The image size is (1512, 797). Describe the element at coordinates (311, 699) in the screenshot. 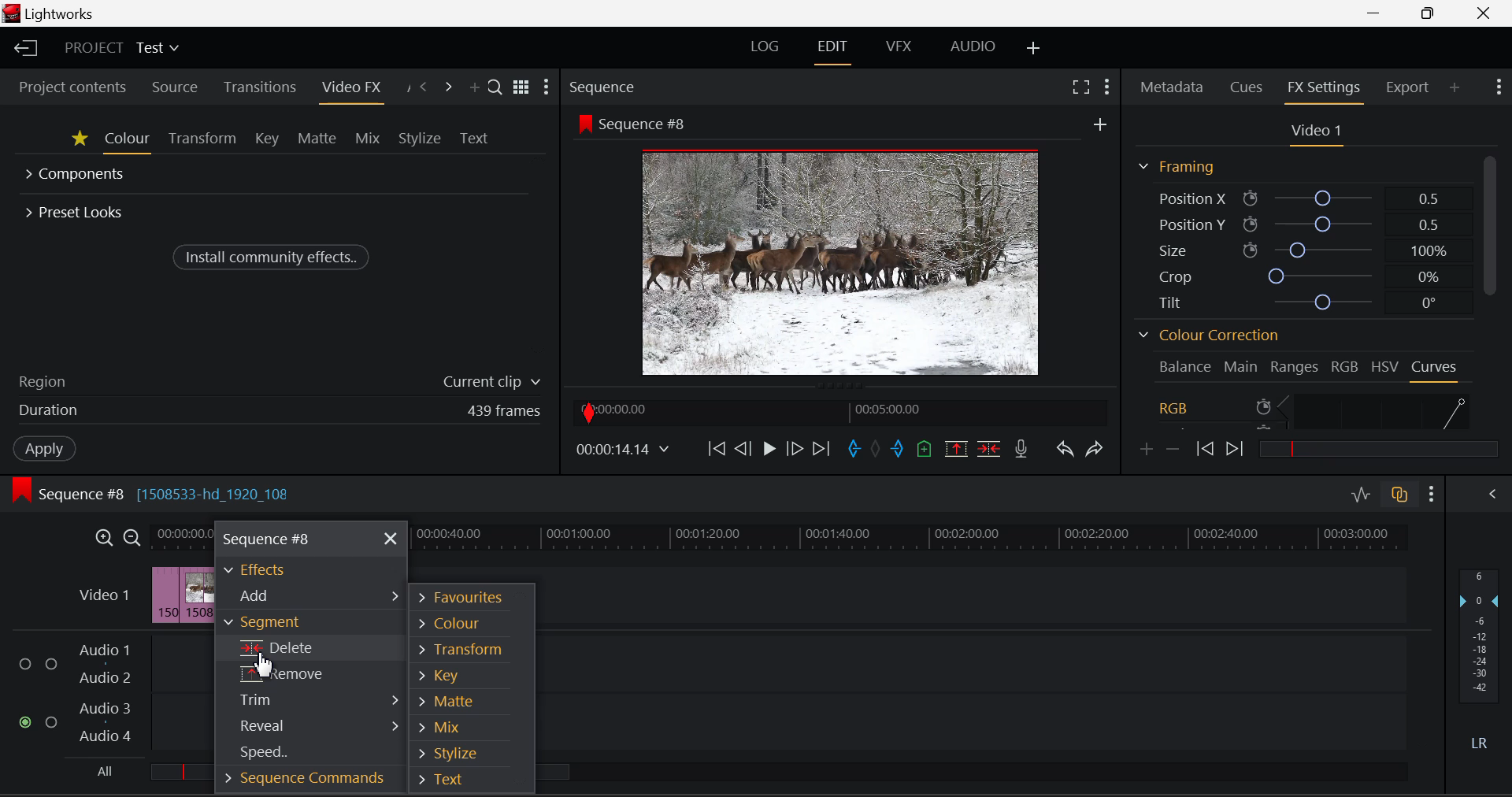

I see `Trim` at that location.